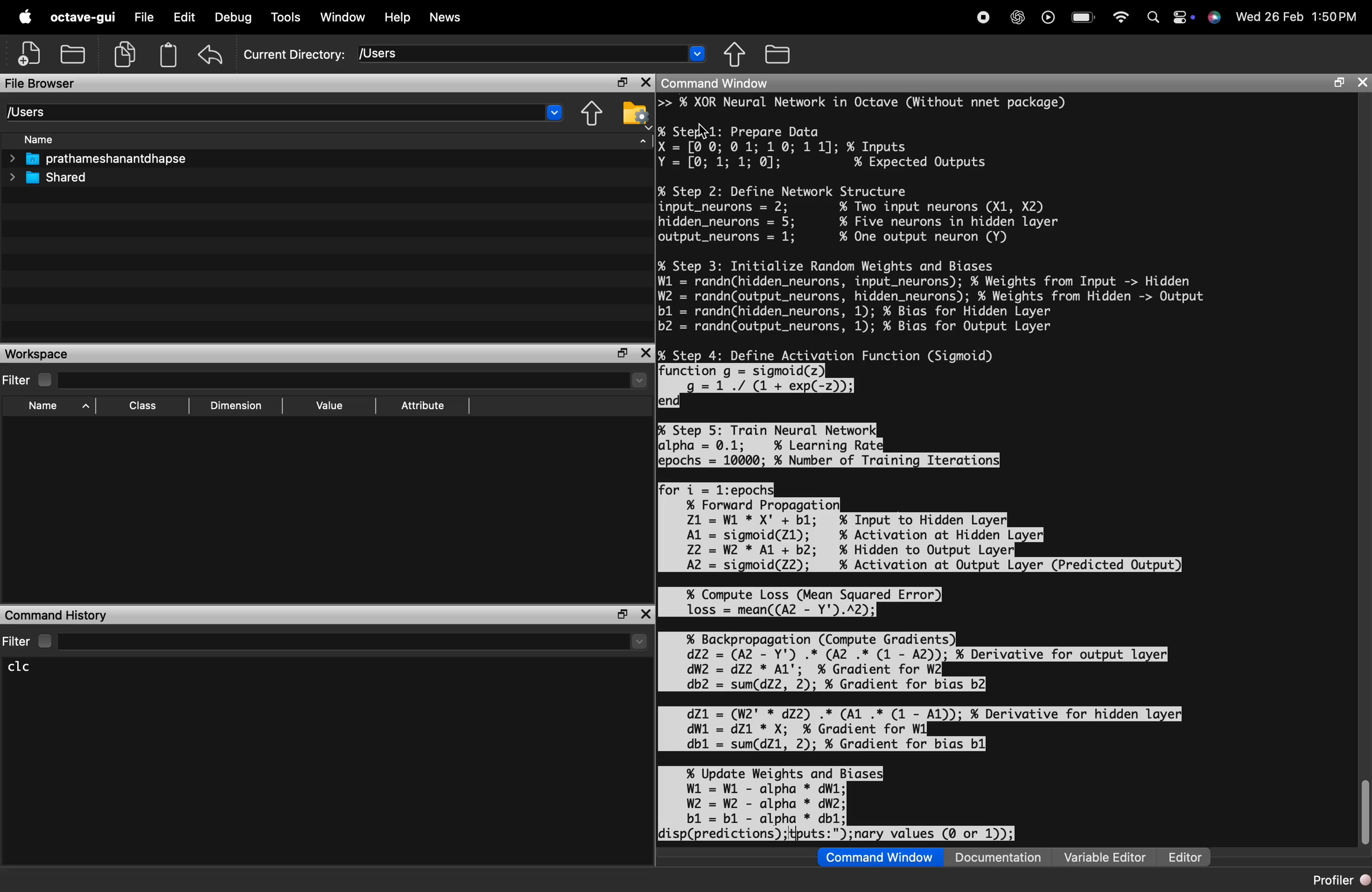 The height and width of the screenshot is (892, 1372). I want to click on Edit, so click(184, 17).